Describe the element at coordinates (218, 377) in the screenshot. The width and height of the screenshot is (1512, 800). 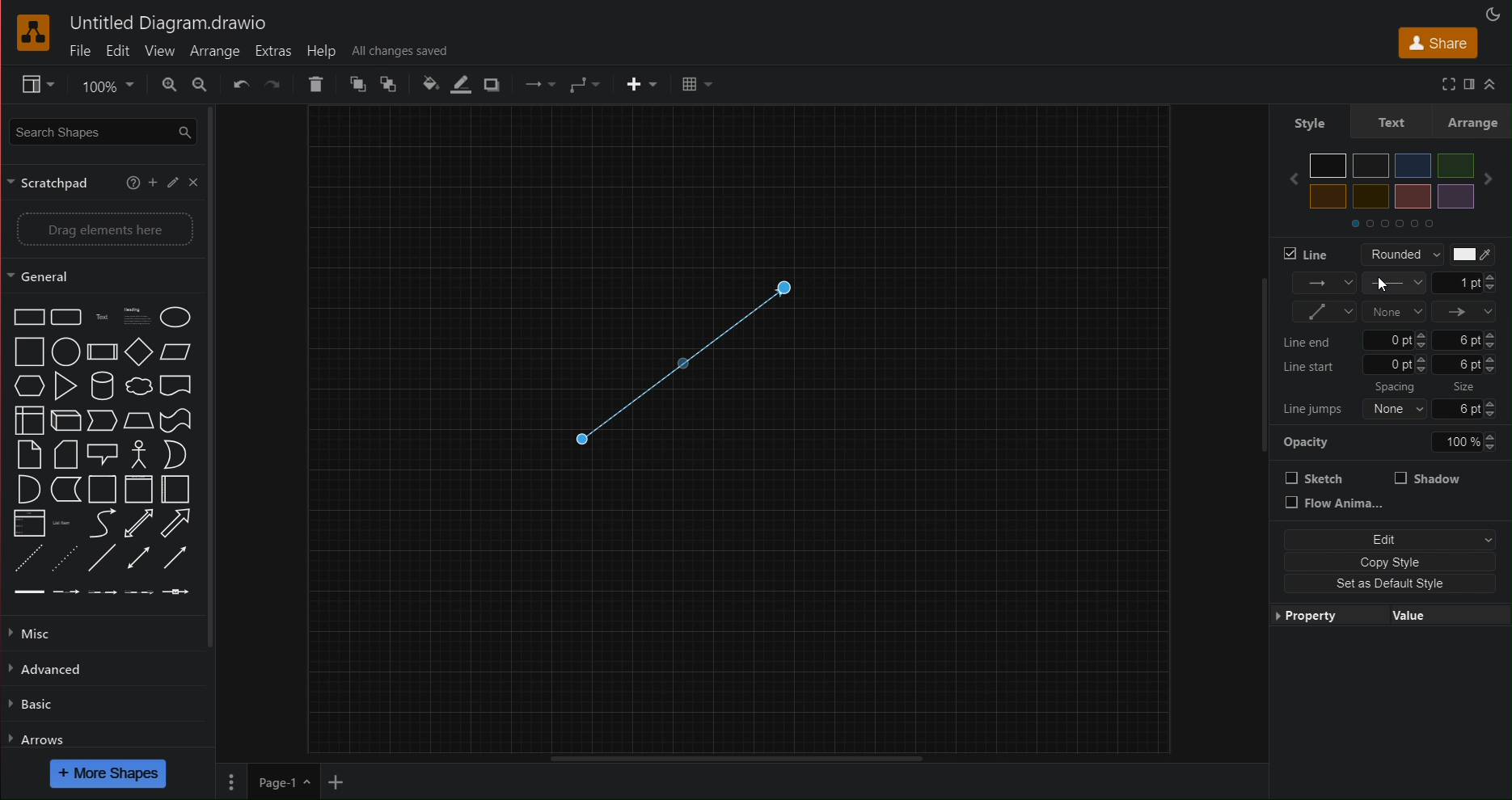
I see `scrollbar` at that location.